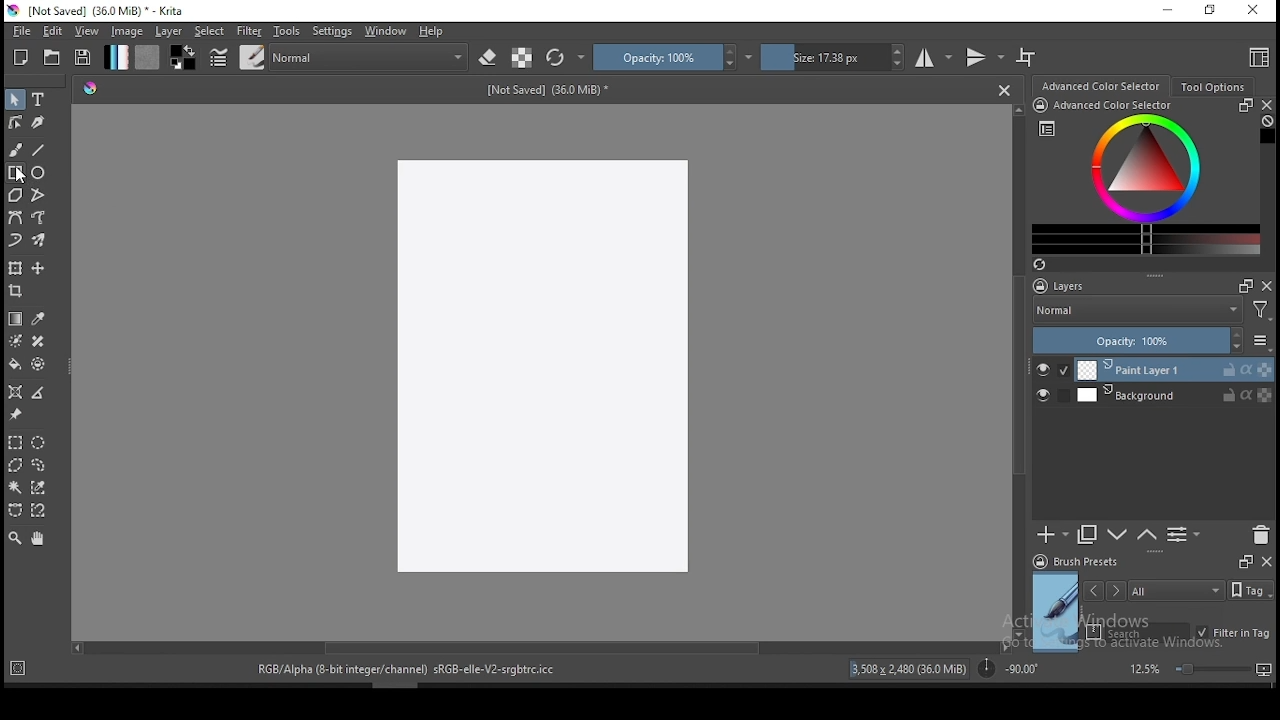 This screenshot has height=720, width=1280. I want to click on reference images tool, so click(14, 415).